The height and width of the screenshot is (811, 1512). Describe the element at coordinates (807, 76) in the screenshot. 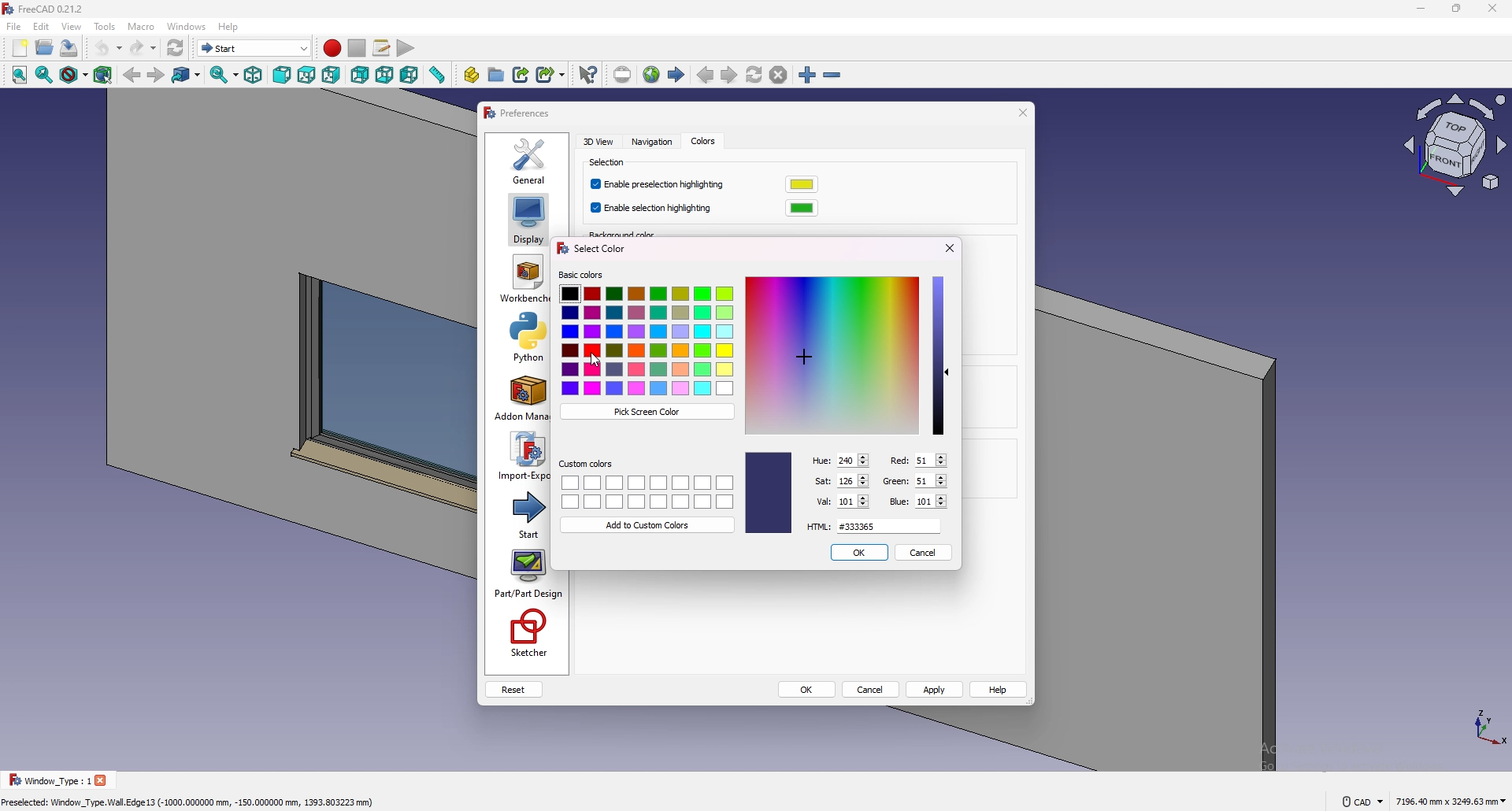

I see `zoom in` at that location.